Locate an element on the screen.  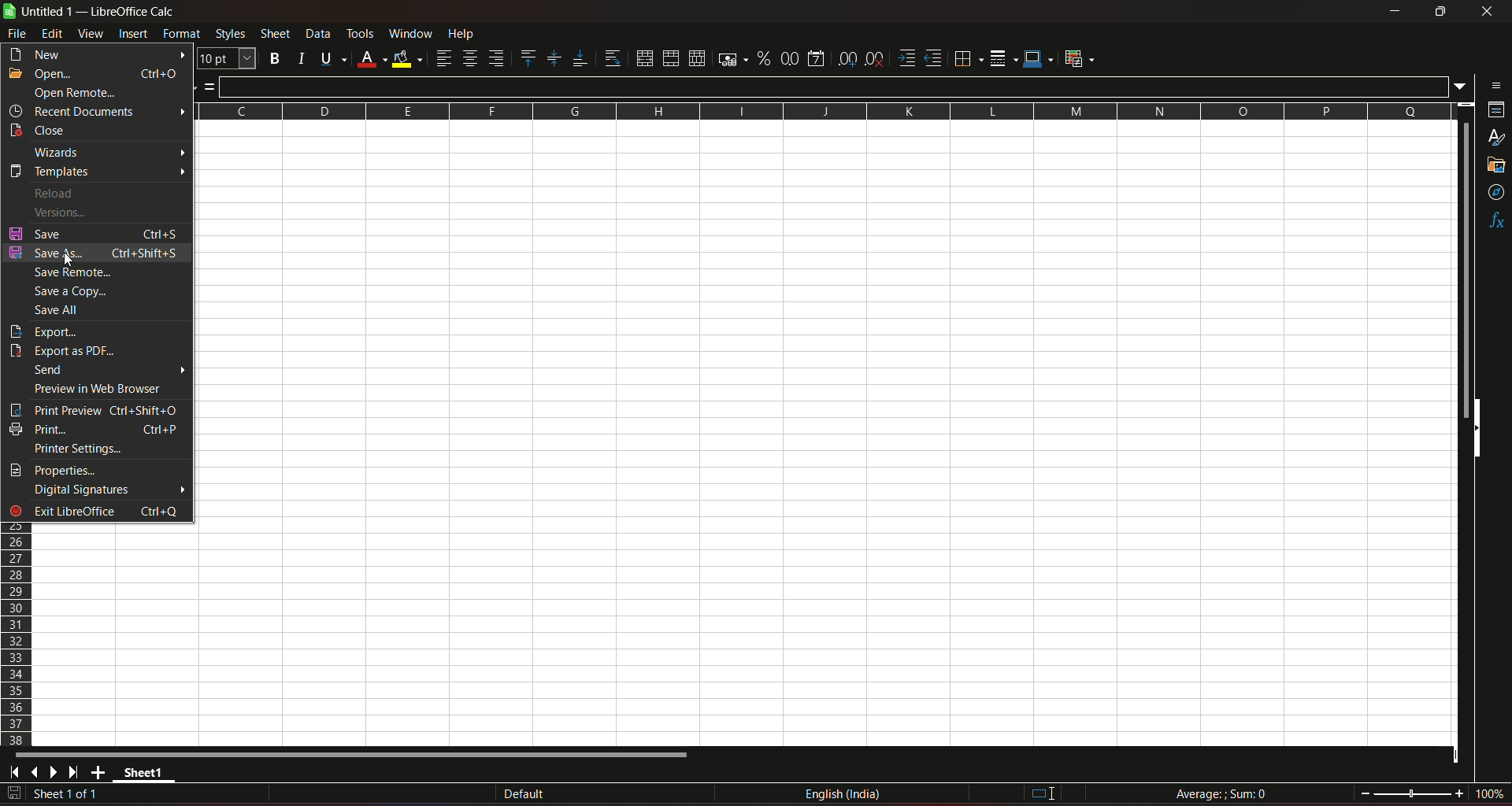
properties is located at coordinates (1494, 112).